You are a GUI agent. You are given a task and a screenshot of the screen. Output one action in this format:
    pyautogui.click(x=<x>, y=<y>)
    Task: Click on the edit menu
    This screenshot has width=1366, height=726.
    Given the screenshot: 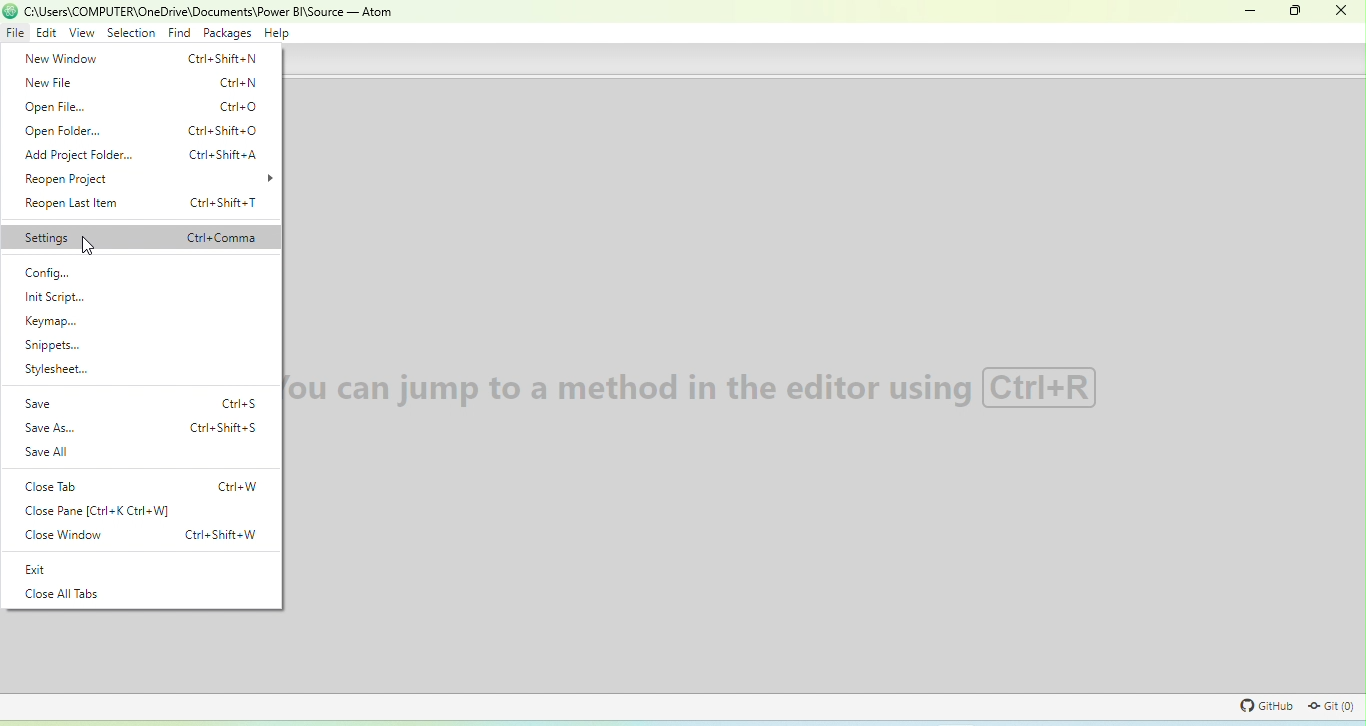 What is the action you would take?
    pyautogui.click(x=46, y=33)
    